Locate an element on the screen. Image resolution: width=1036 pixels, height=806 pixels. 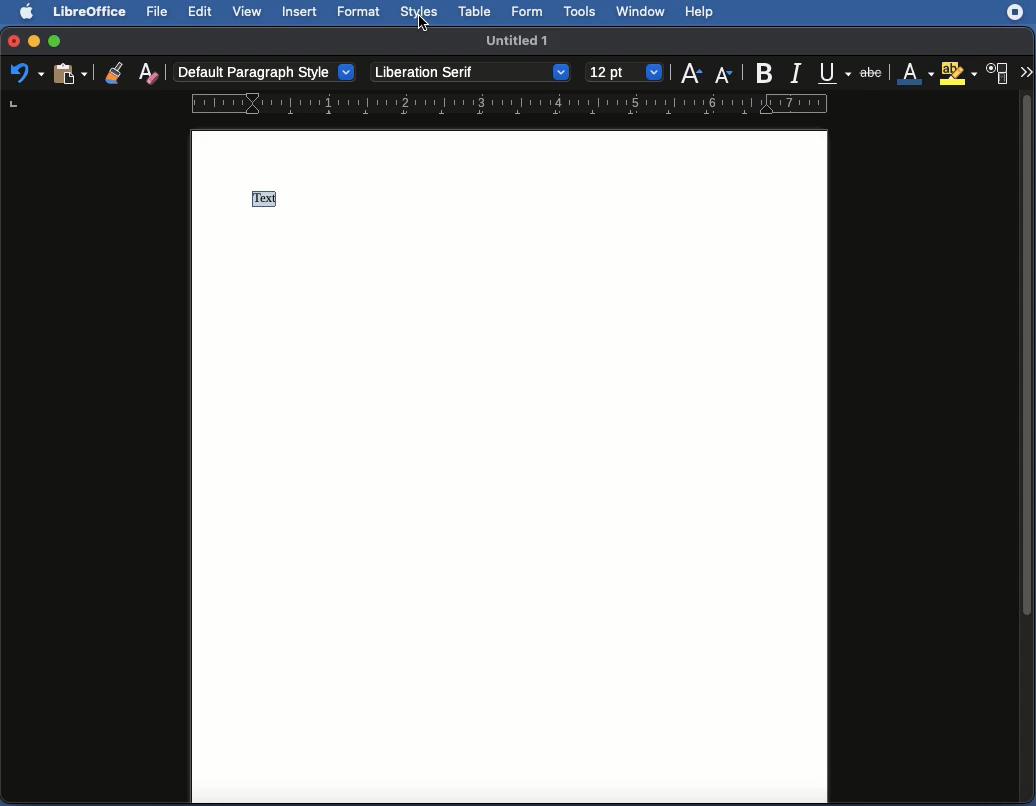
Apple logo is located at coordinates (32, 13).